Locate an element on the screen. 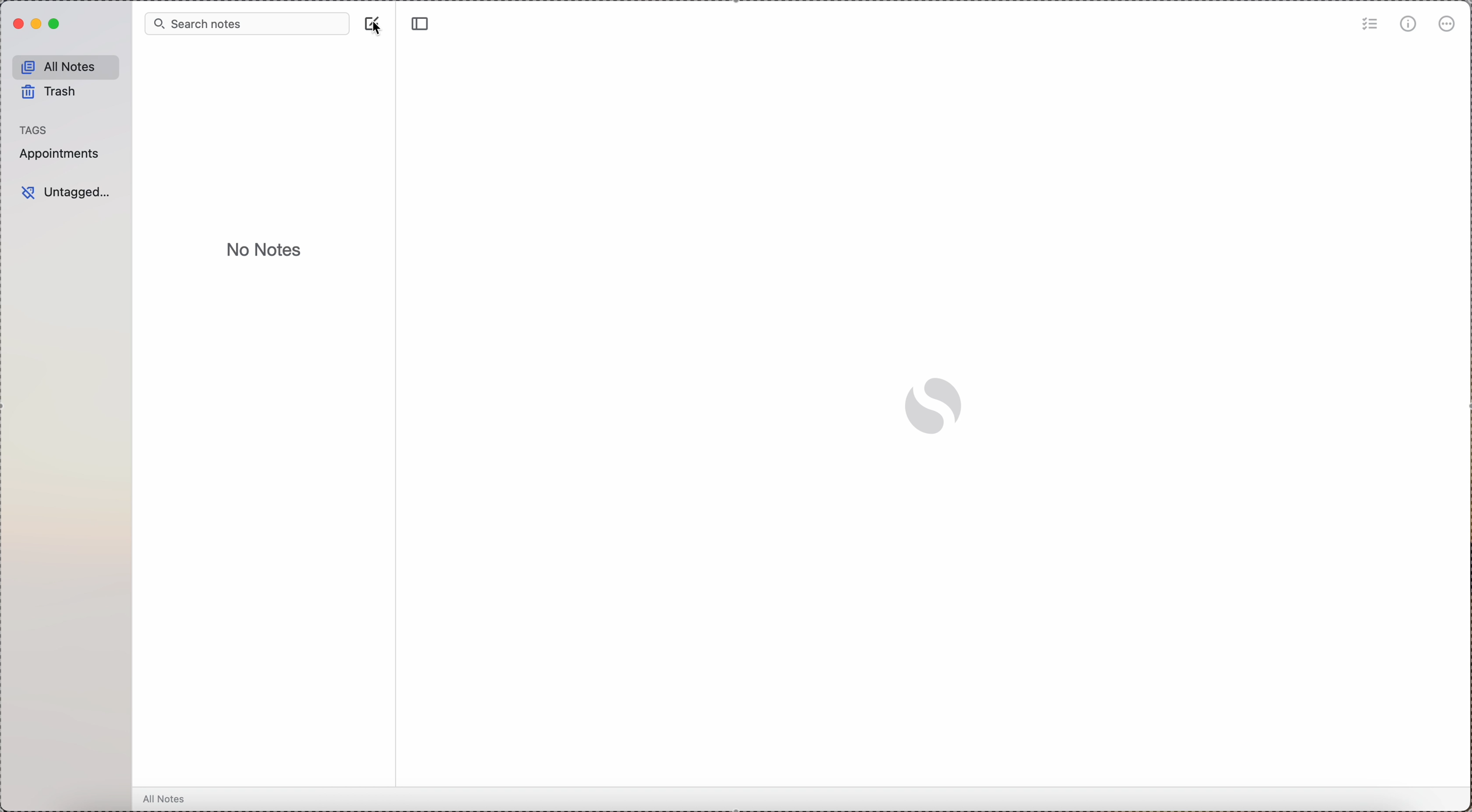  Simplenote logo is located at coordinates (934, 406).